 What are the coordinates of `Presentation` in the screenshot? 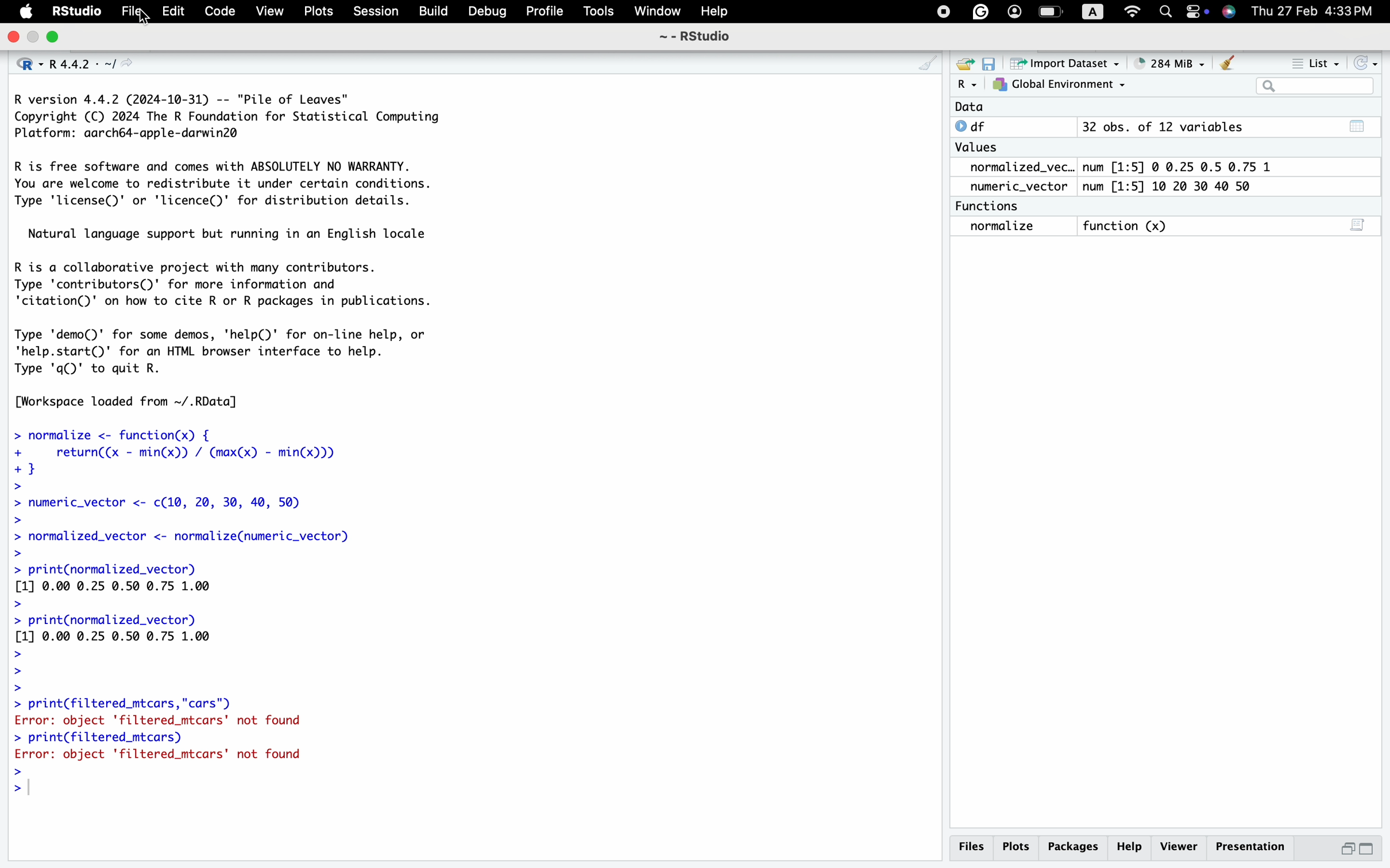 It's located at (1249, 843).